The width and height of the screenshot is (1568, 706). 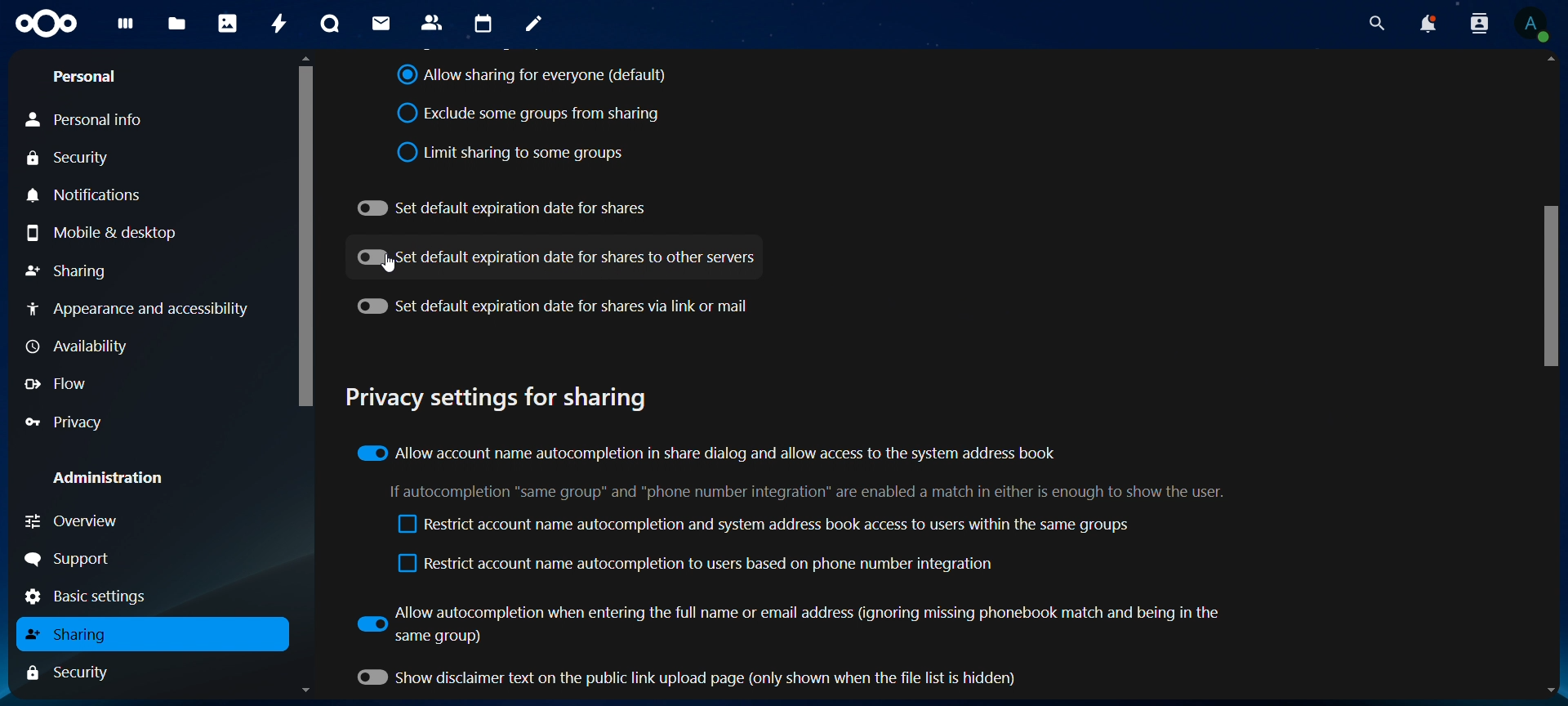 I want to click on activity, so click(x=280, y=25).